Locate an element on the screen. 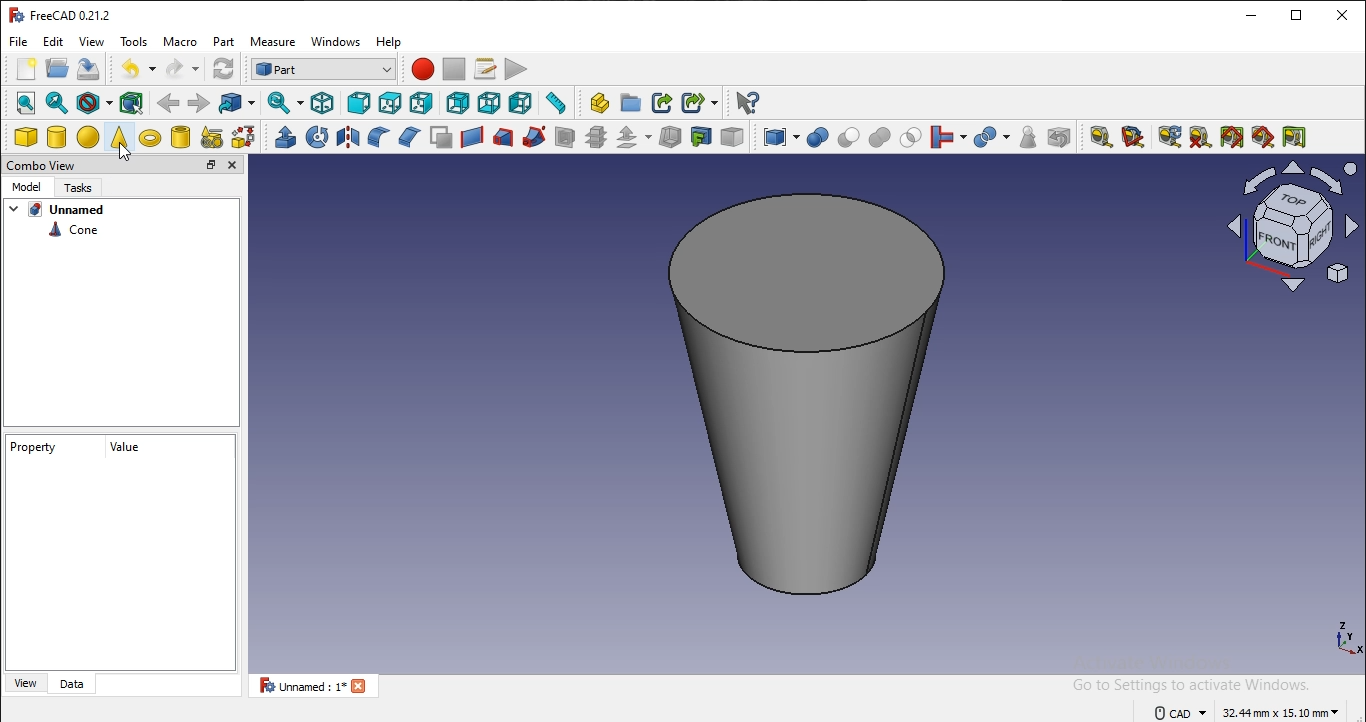 This screenshot has width=1366, height=722. front is located at coordinates (357, 102).